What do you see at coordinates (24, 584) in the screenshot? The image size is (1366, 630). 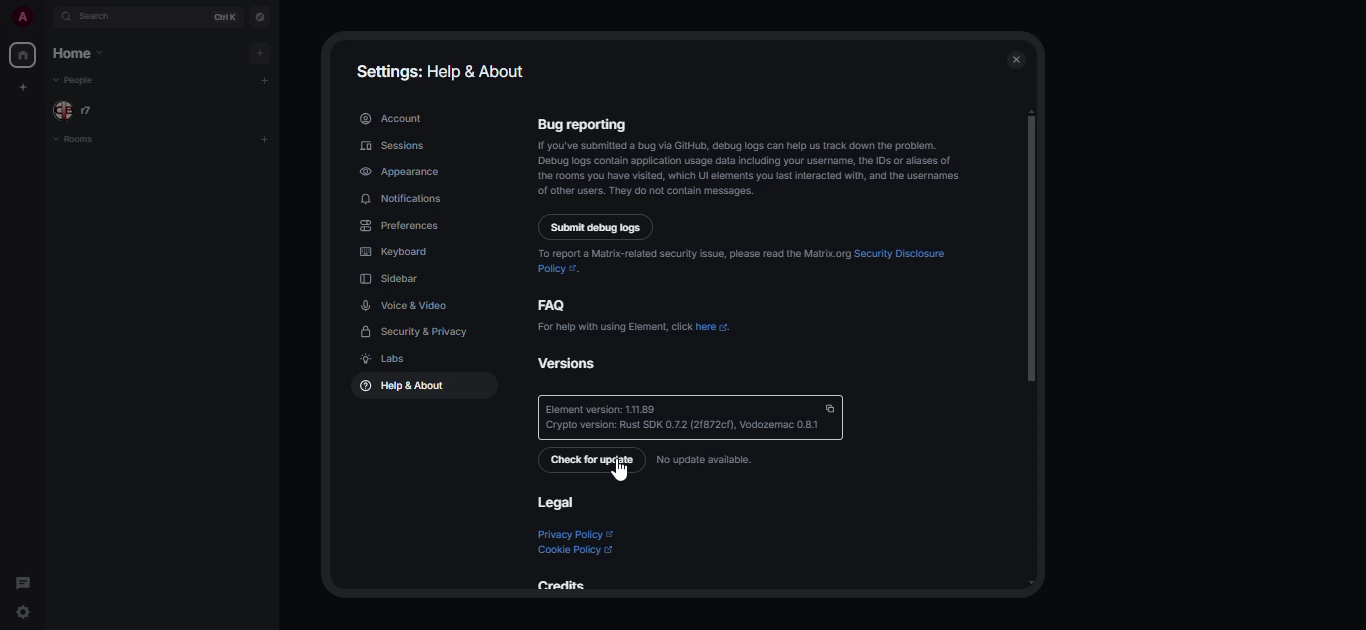 I see `threads` at bounding box center [24, 584].